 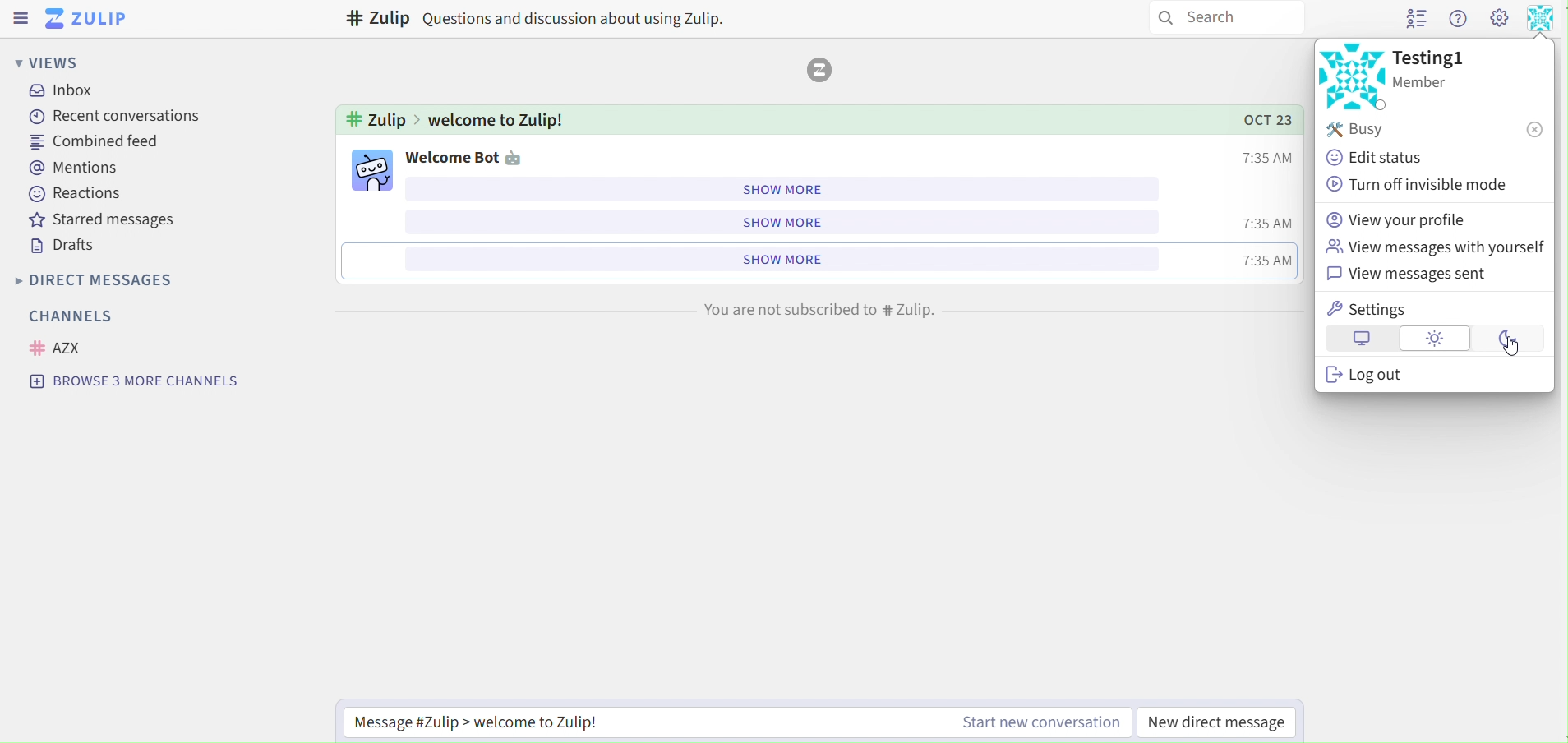 I want to click on edit status, so click(x=1384, y=159).